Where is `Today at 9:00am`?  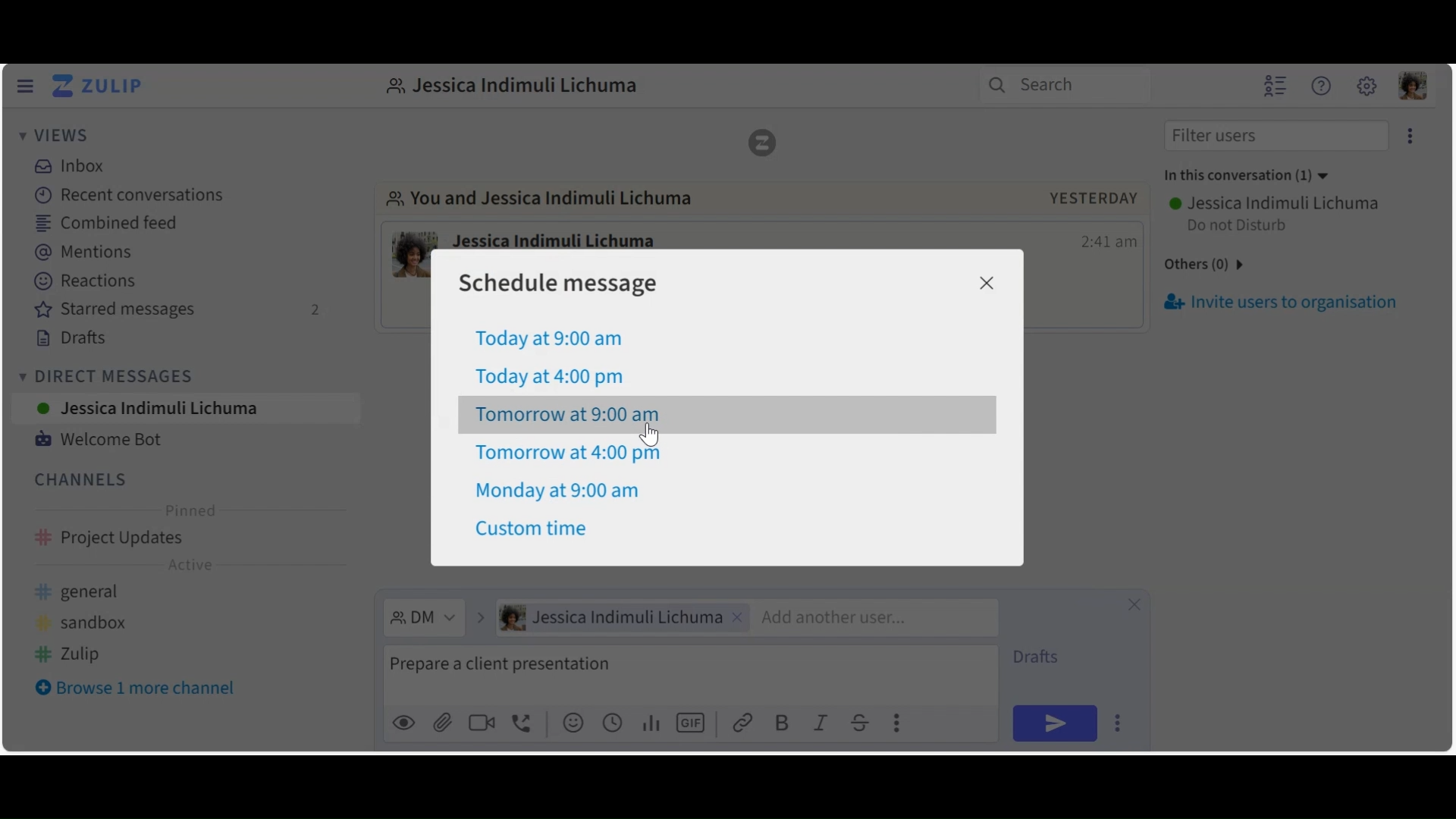
Today at 9:00am is located at coordinates (550, 338).